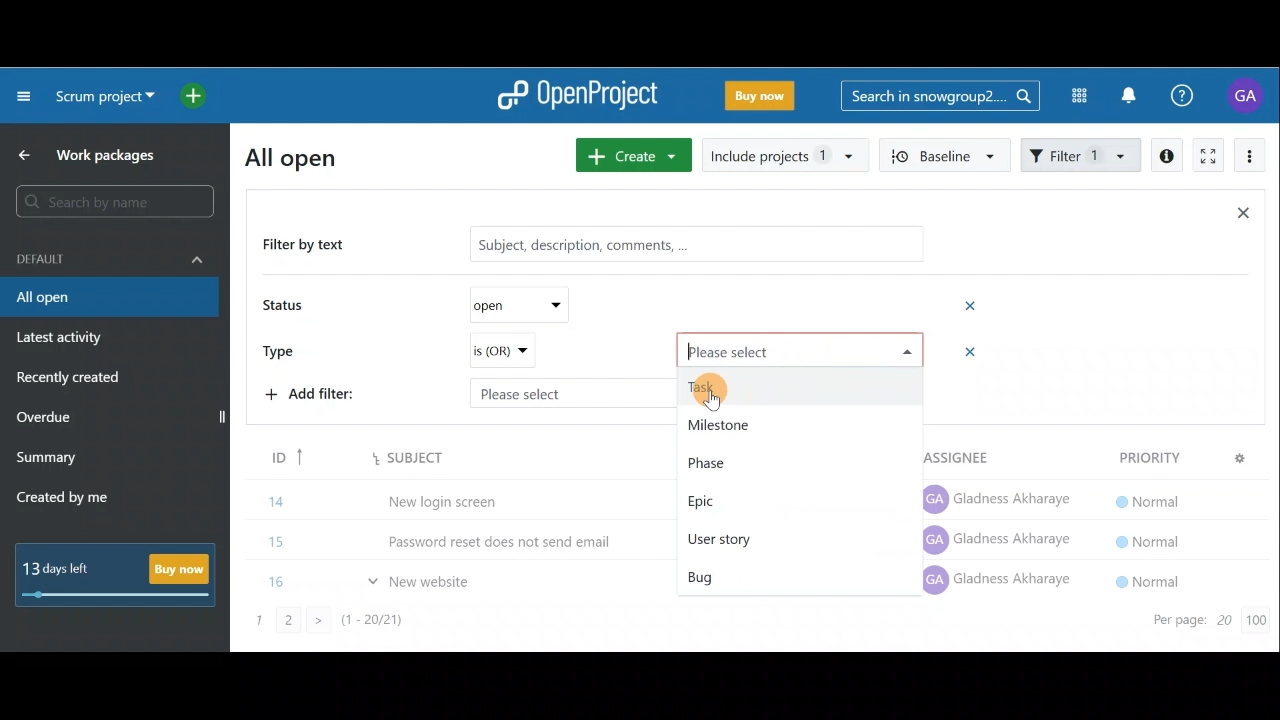  What do you see at coordinates (1205, 622) in the screenshot?
I see `Page count` at bounding box center [1205, 622].